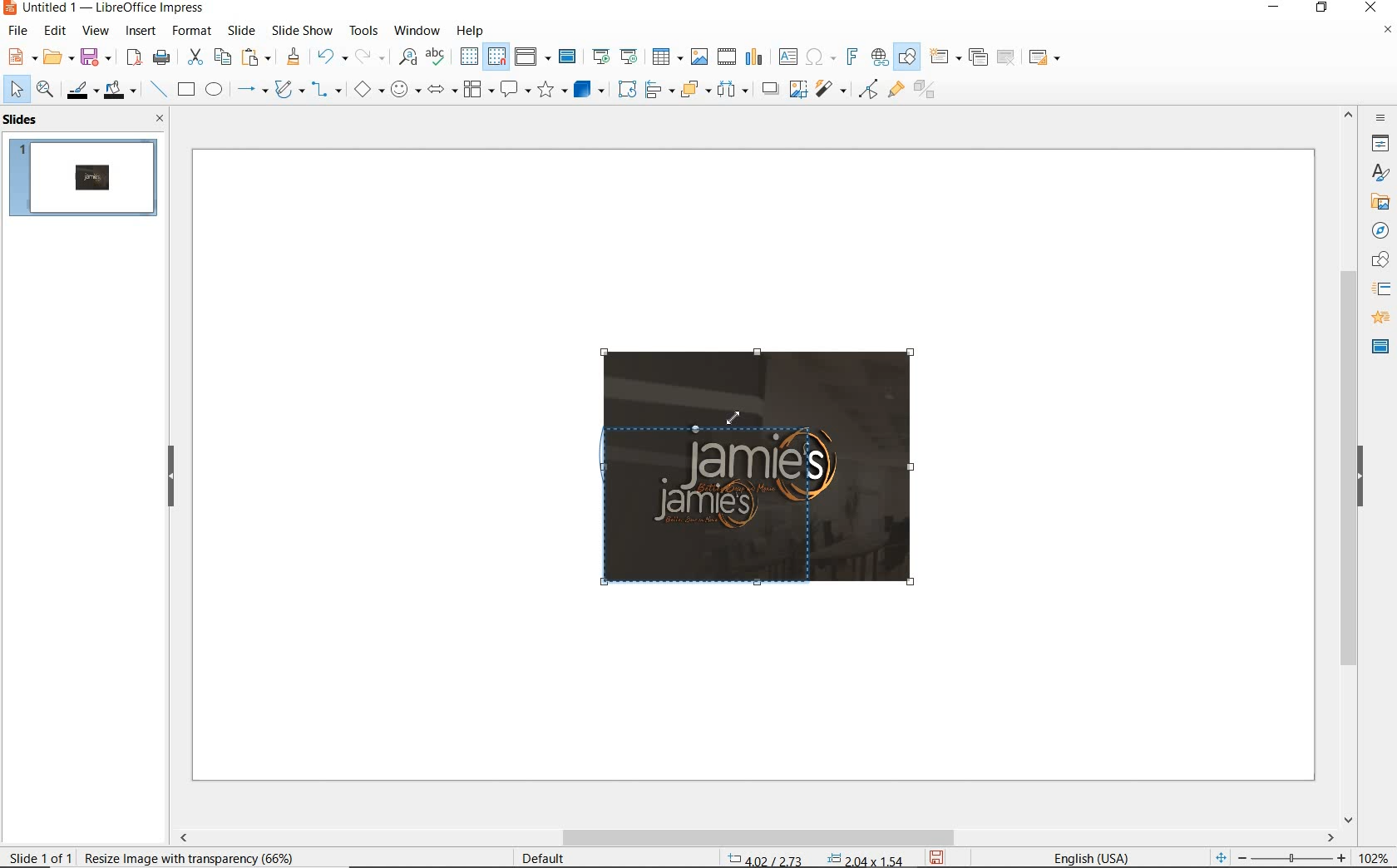 The width and height of the screenshot is (1397, 868). I want to click on line color, so click(81, 90).